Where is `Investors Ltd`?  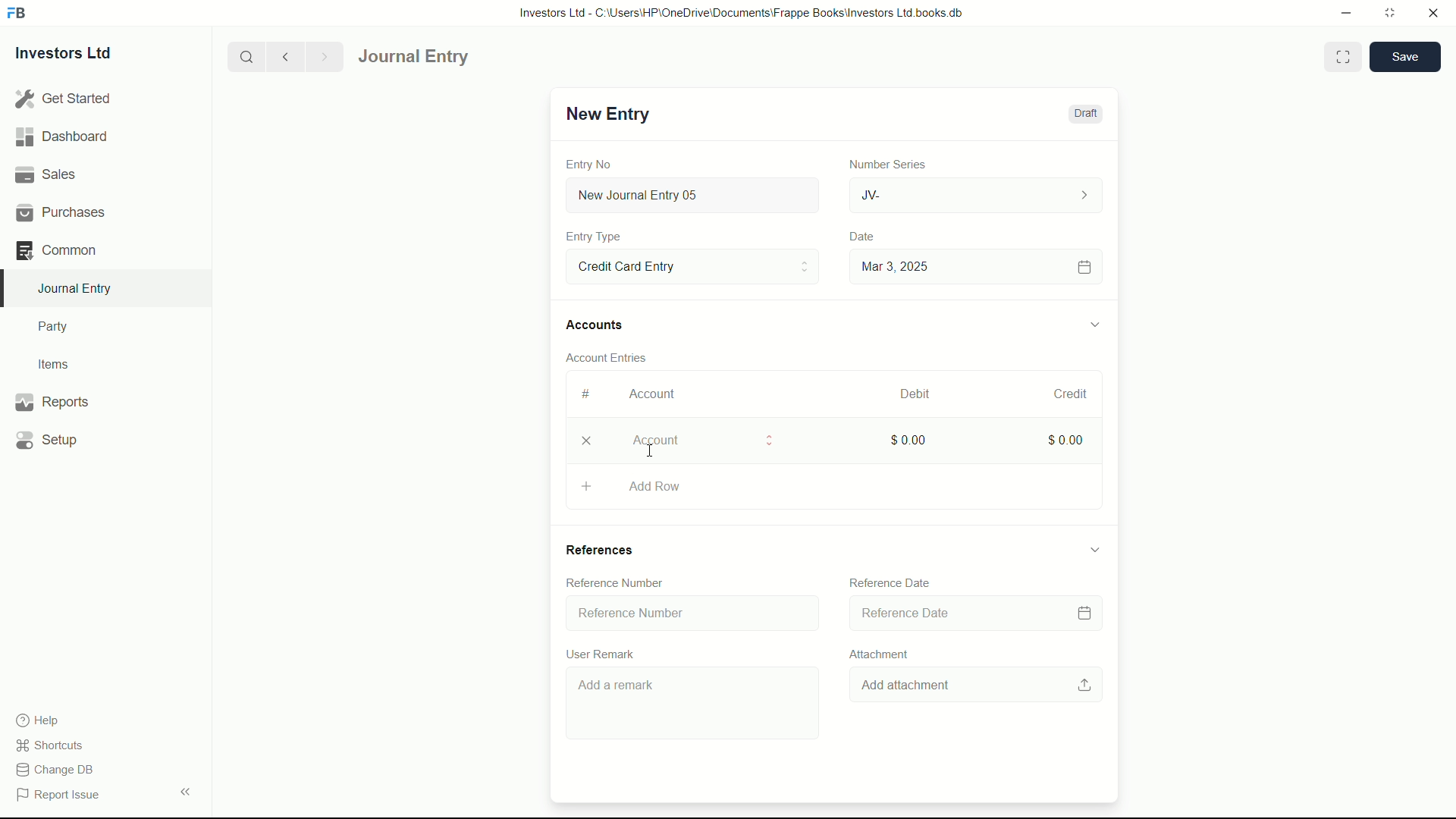 Investors Ltd is located at coordinates (77, 55).